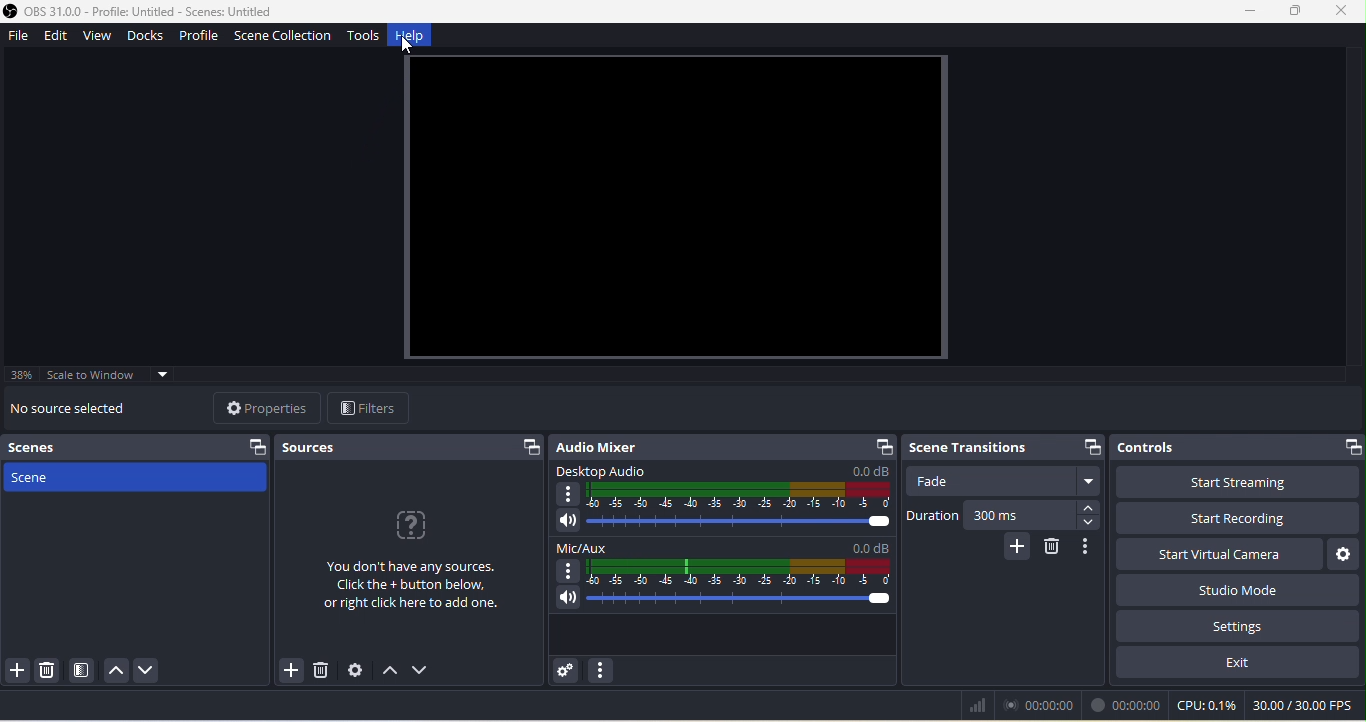 Image resolution: width=1366 pixels, height=722 pixels. I want to click on configure virtual camera, so click(1345, 555).